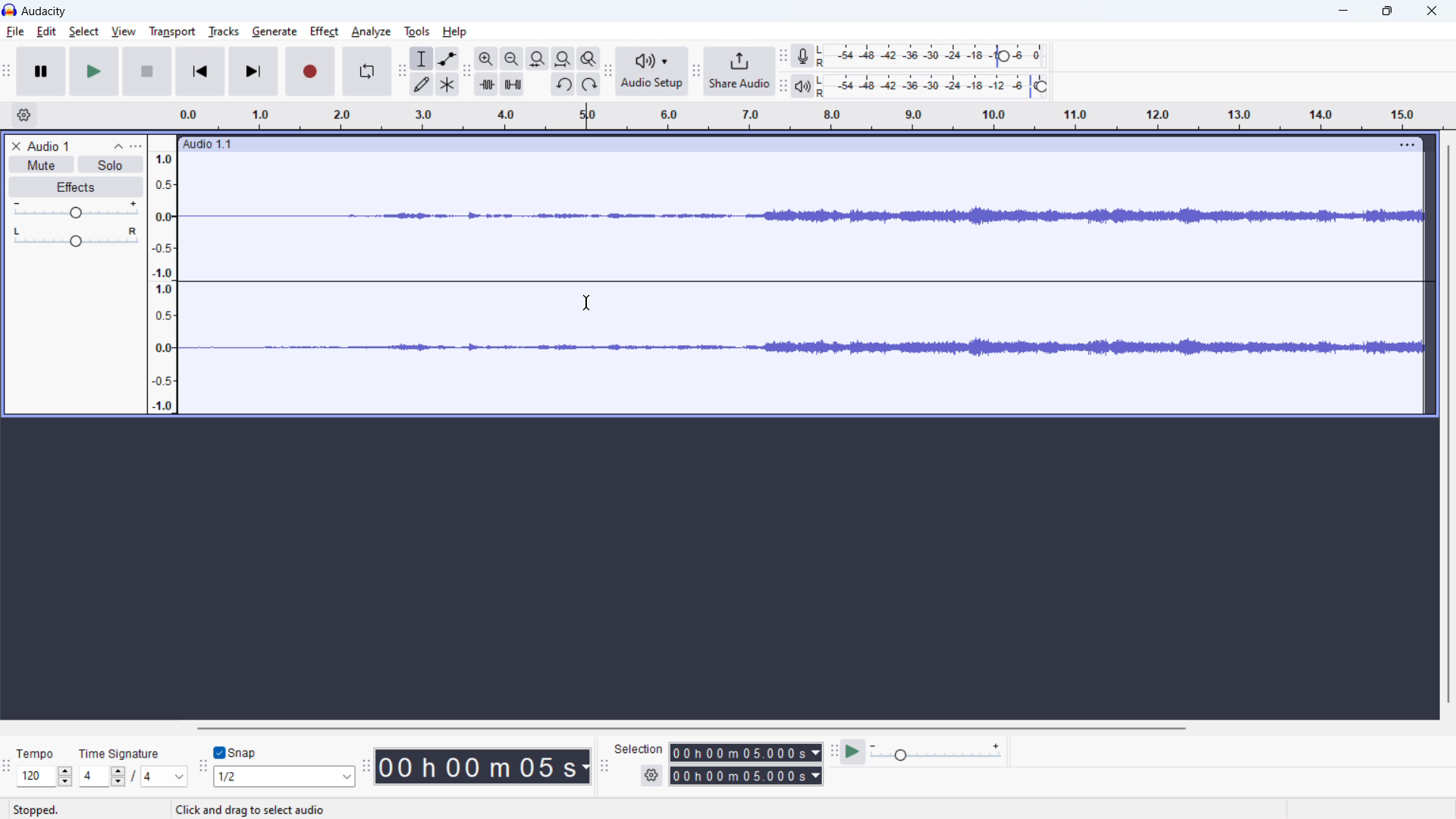 Image resolution: width=1456 pixels, height=819 pixels. What do you see at coordinates (782, 57) in the screenshot?
I see `recording meter toolbar` at bounding box center [782, 57].